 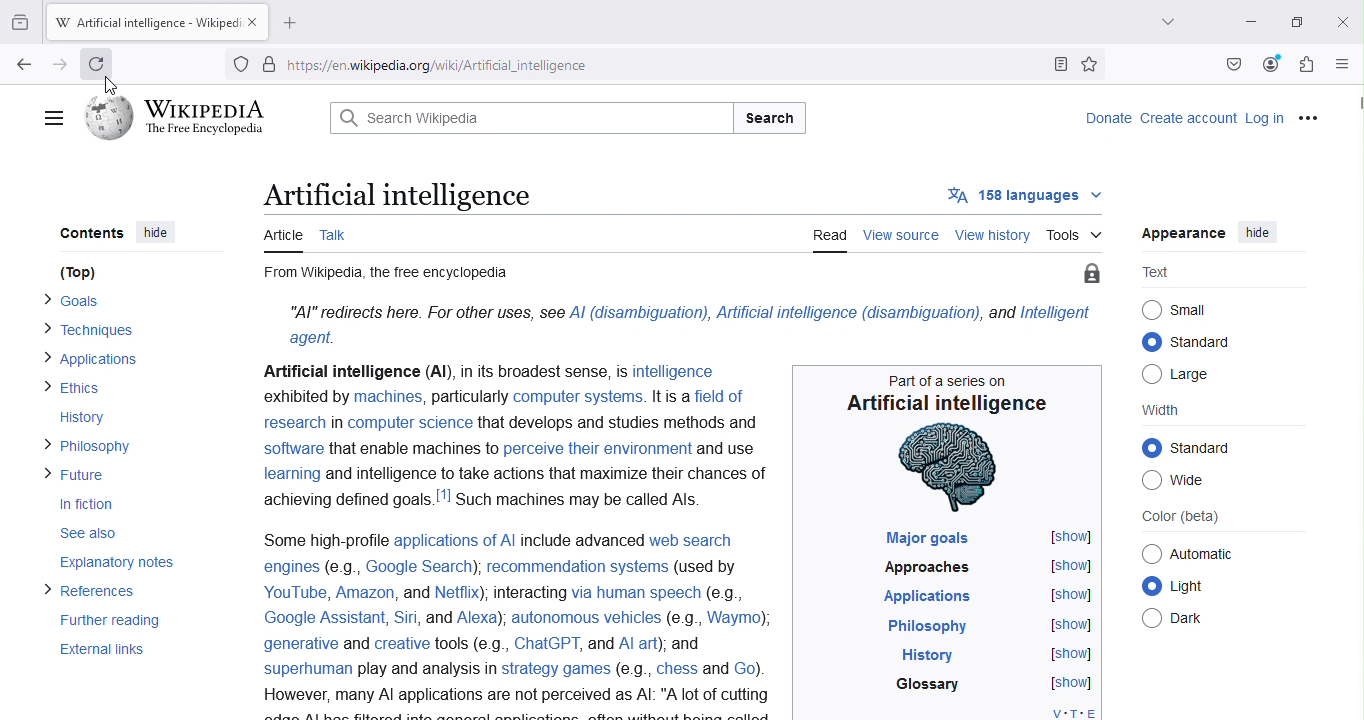 I want to click on Close, so click(x=1342, y=19).